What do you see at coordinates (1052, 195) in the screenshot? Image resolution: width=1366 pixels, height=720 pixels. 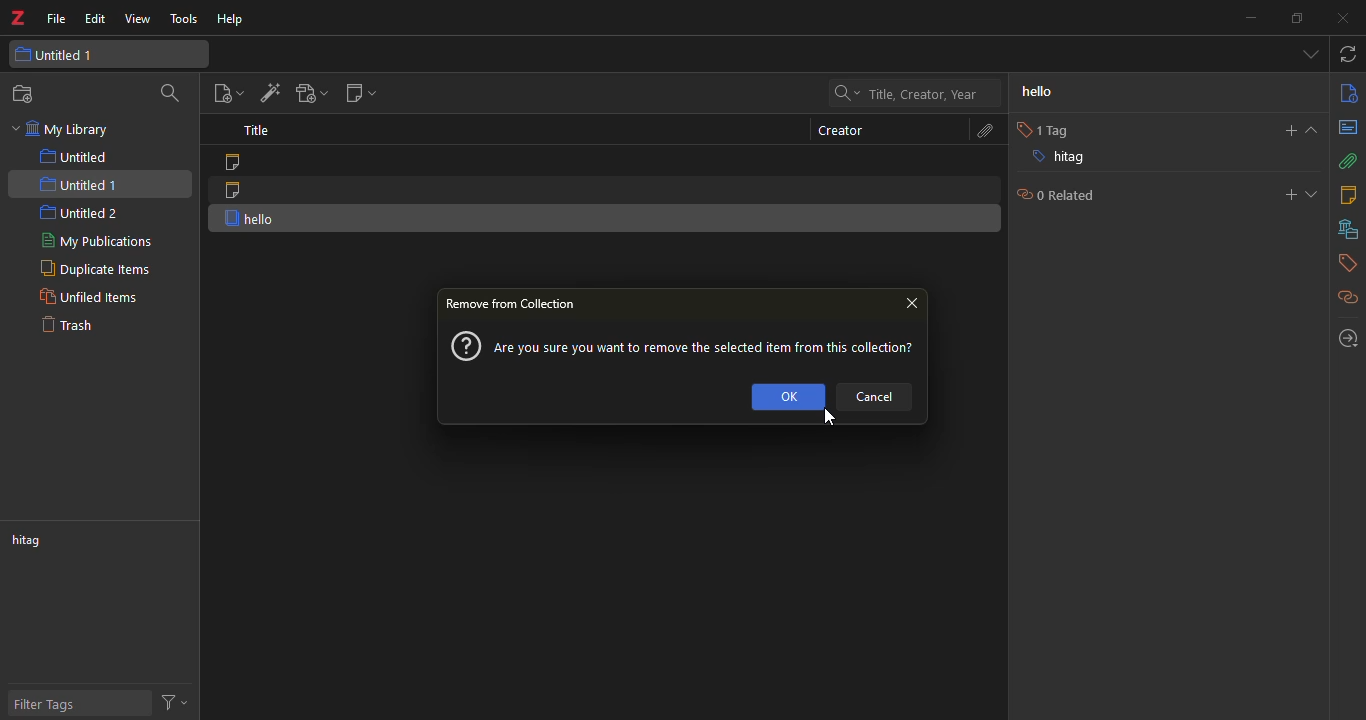 I see `0 related` at bounding box center [1052, 195].